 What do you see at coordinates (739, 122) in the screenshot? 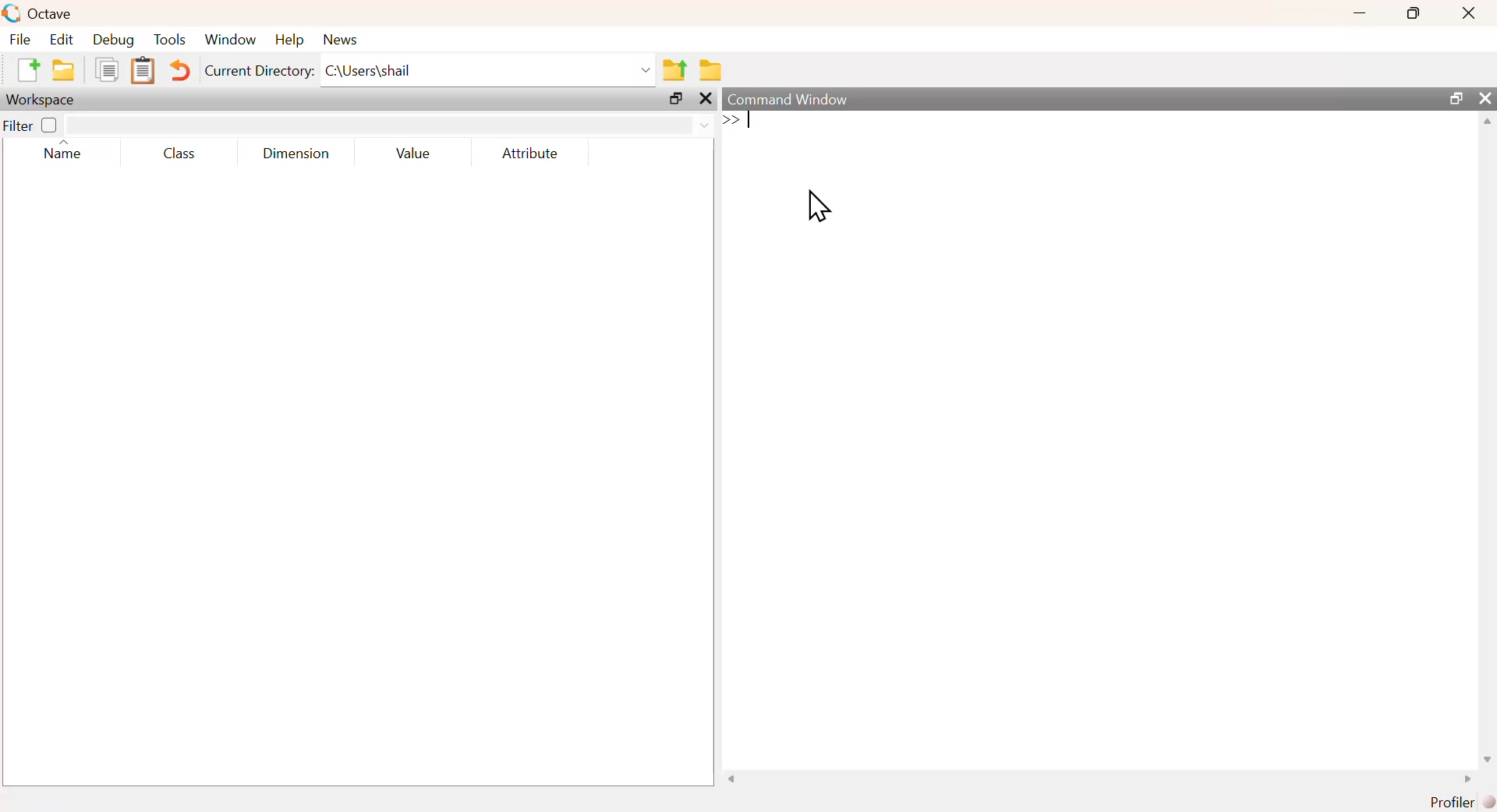
I see `typing cursor` at bounding box center [739, 122].